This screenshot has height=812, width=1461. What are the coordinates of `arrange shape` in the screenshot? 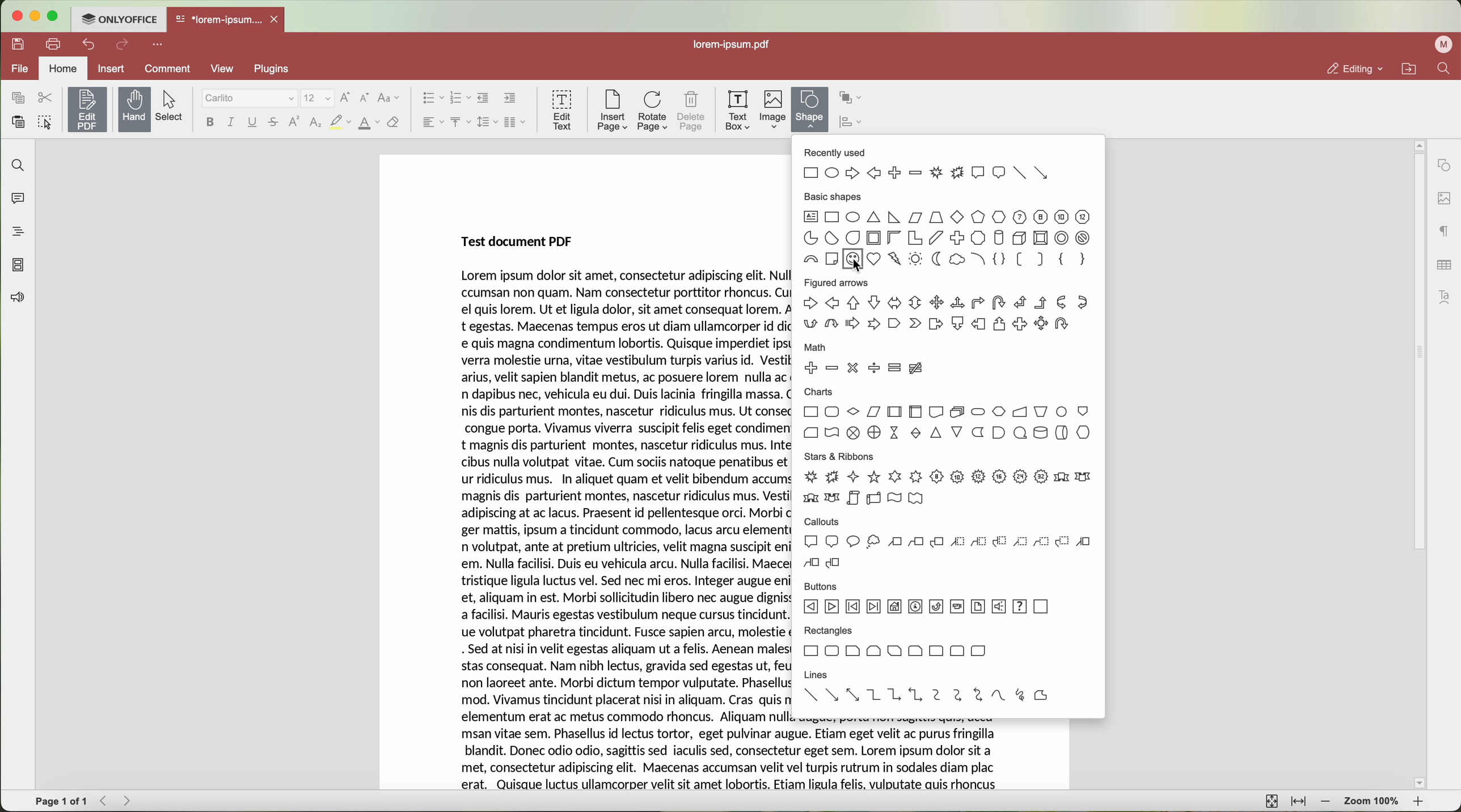 It's located at (851, 99).